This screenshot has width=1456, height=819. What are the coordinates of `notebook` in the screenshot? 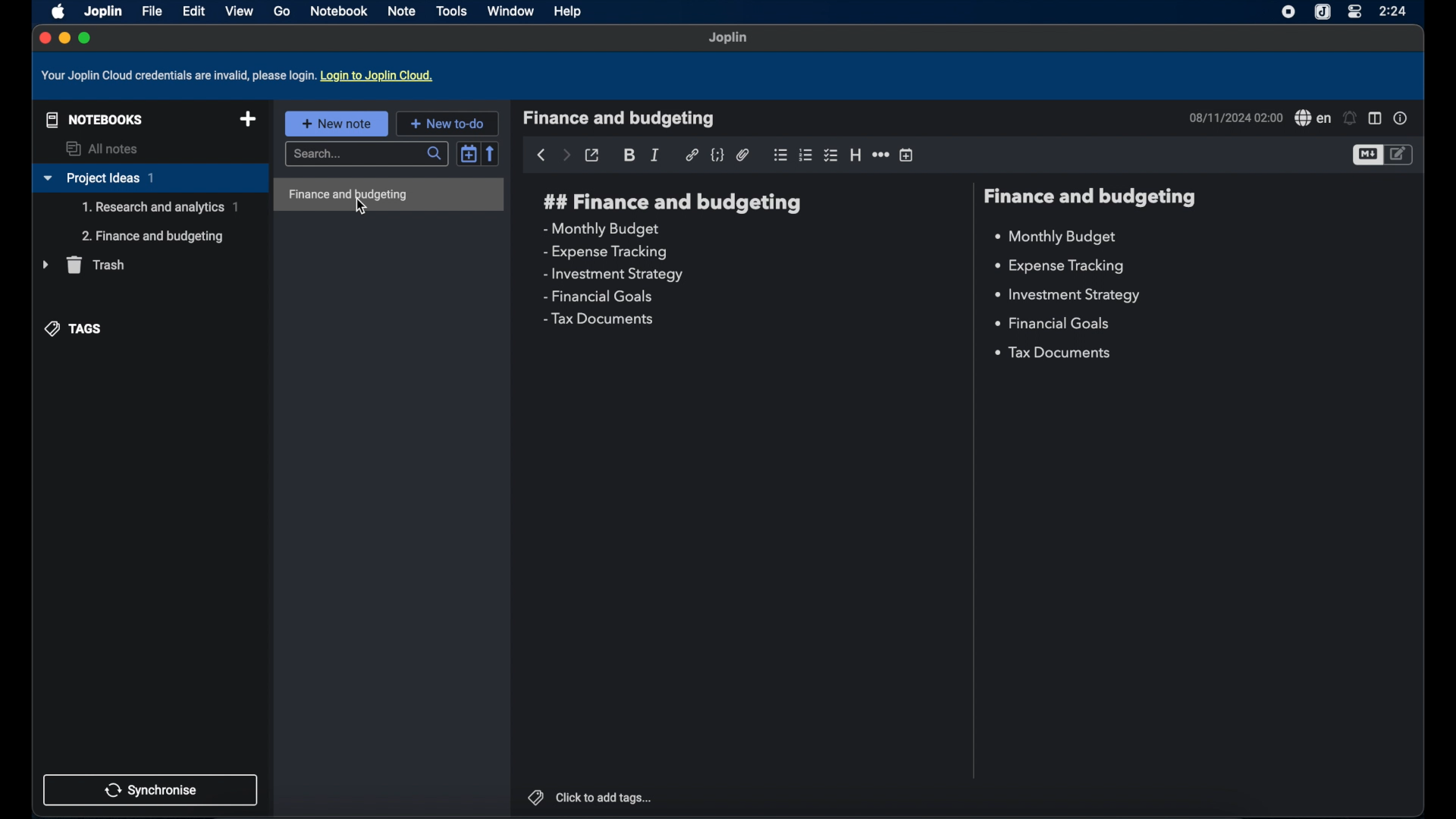 It's located at (340, 11).